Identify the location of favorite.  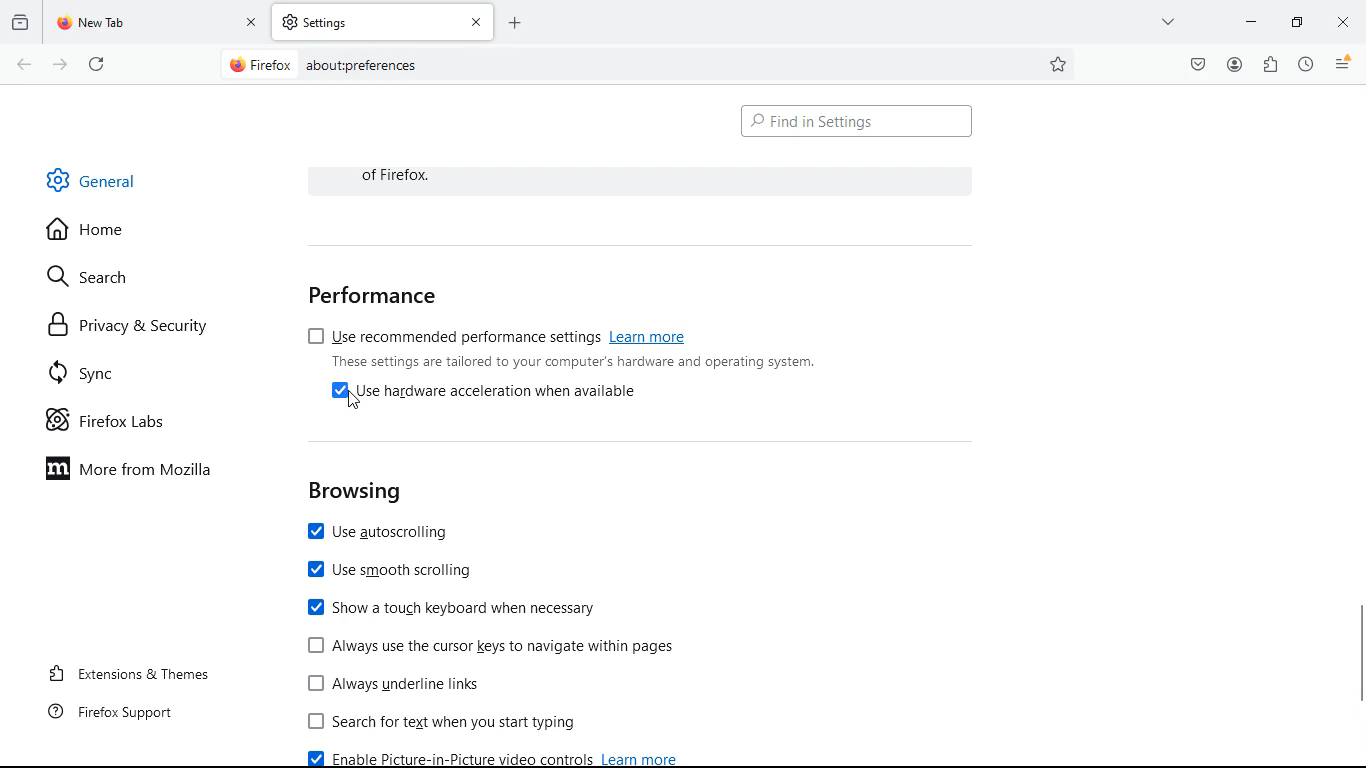
(1059, 65).